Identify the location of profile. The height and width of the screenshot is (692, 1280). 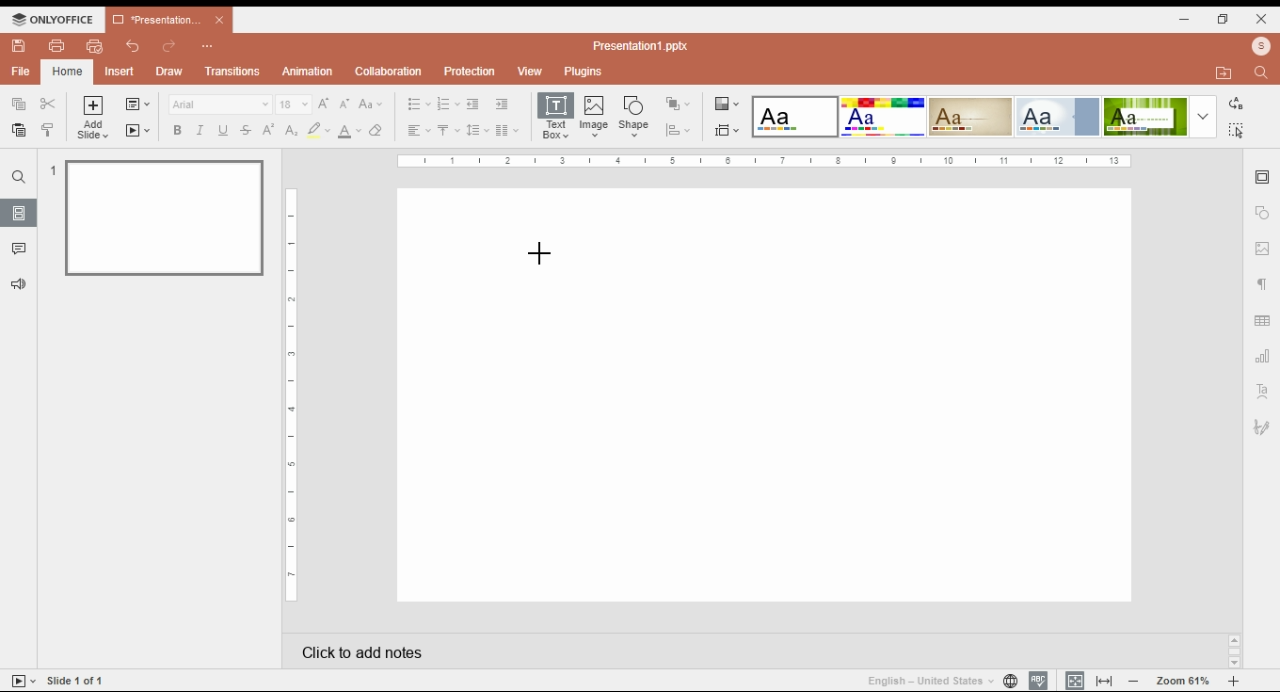
(1260, 46).